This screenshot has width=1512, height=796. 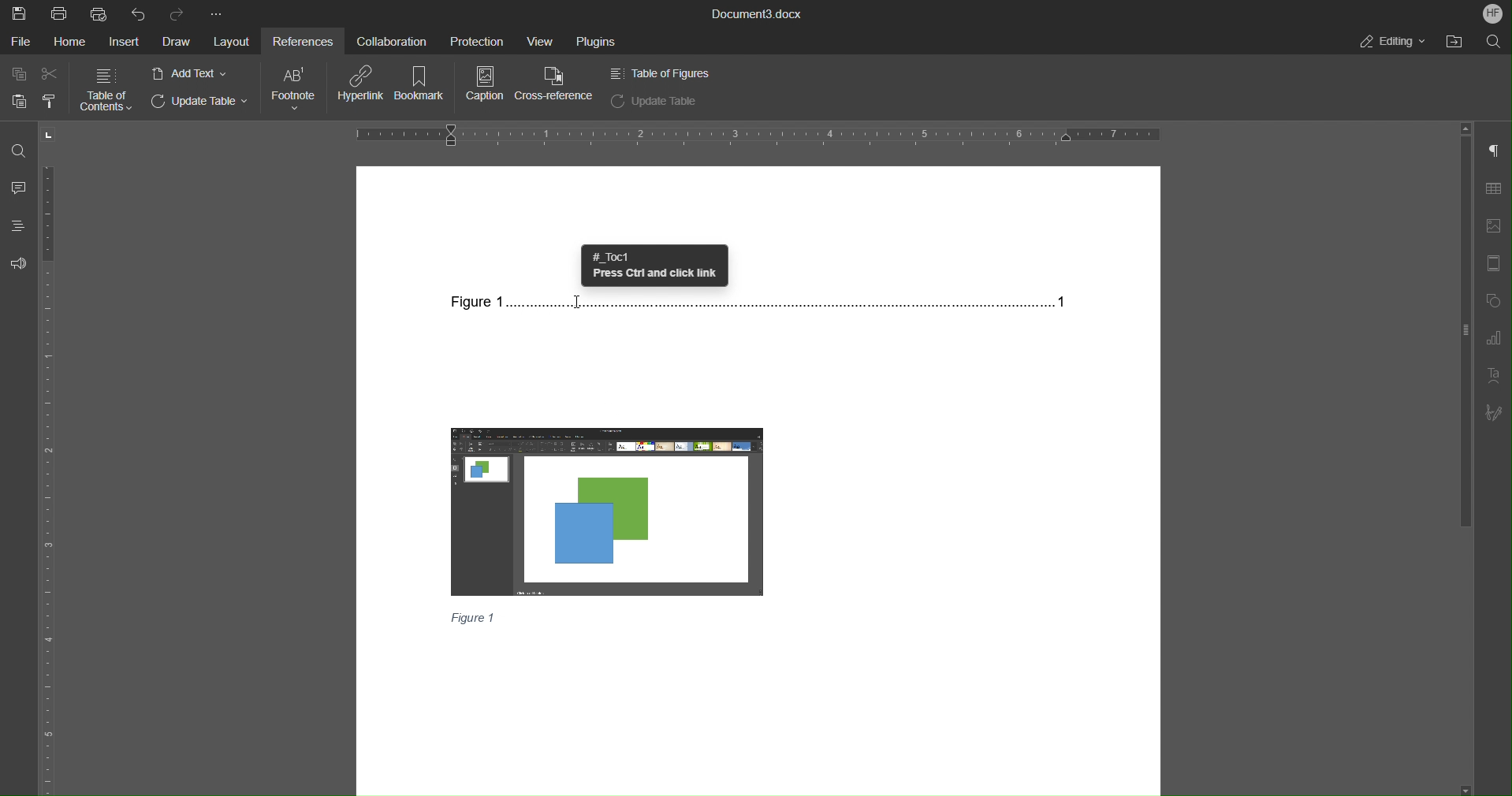 What do you see at coordinates (23, 42) in the screenshot?
I see `File` at bounding box center [23, 42].